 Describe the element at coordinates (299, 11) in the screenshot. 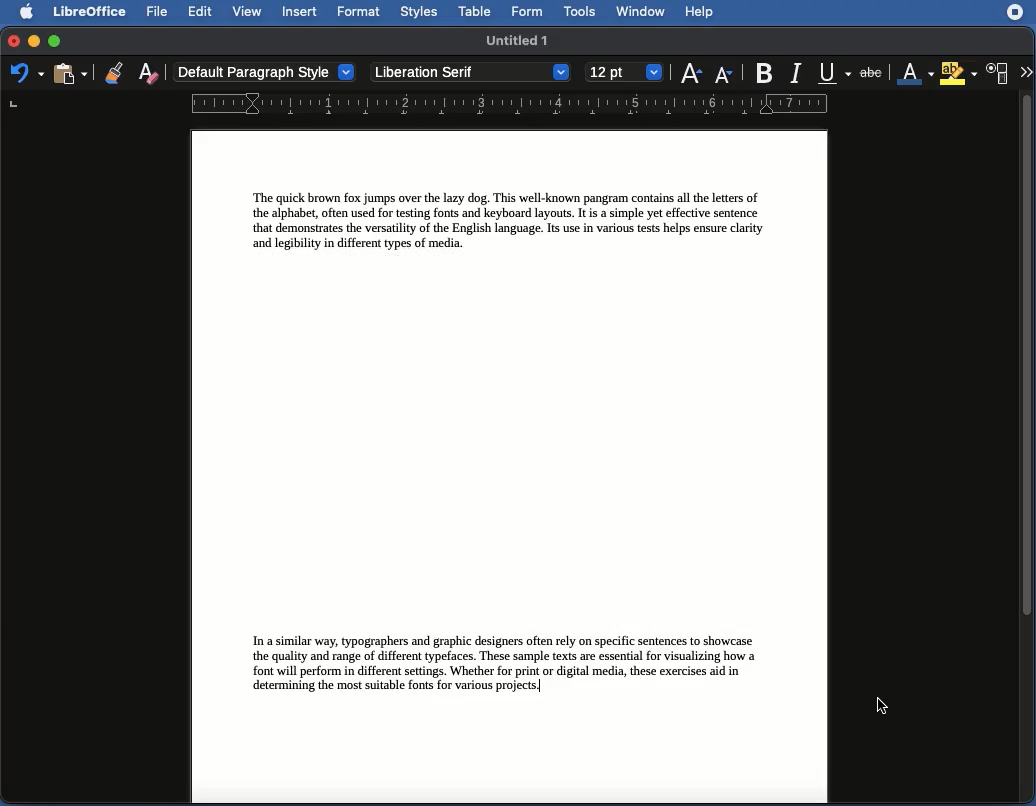

I see `Insert` at that location.